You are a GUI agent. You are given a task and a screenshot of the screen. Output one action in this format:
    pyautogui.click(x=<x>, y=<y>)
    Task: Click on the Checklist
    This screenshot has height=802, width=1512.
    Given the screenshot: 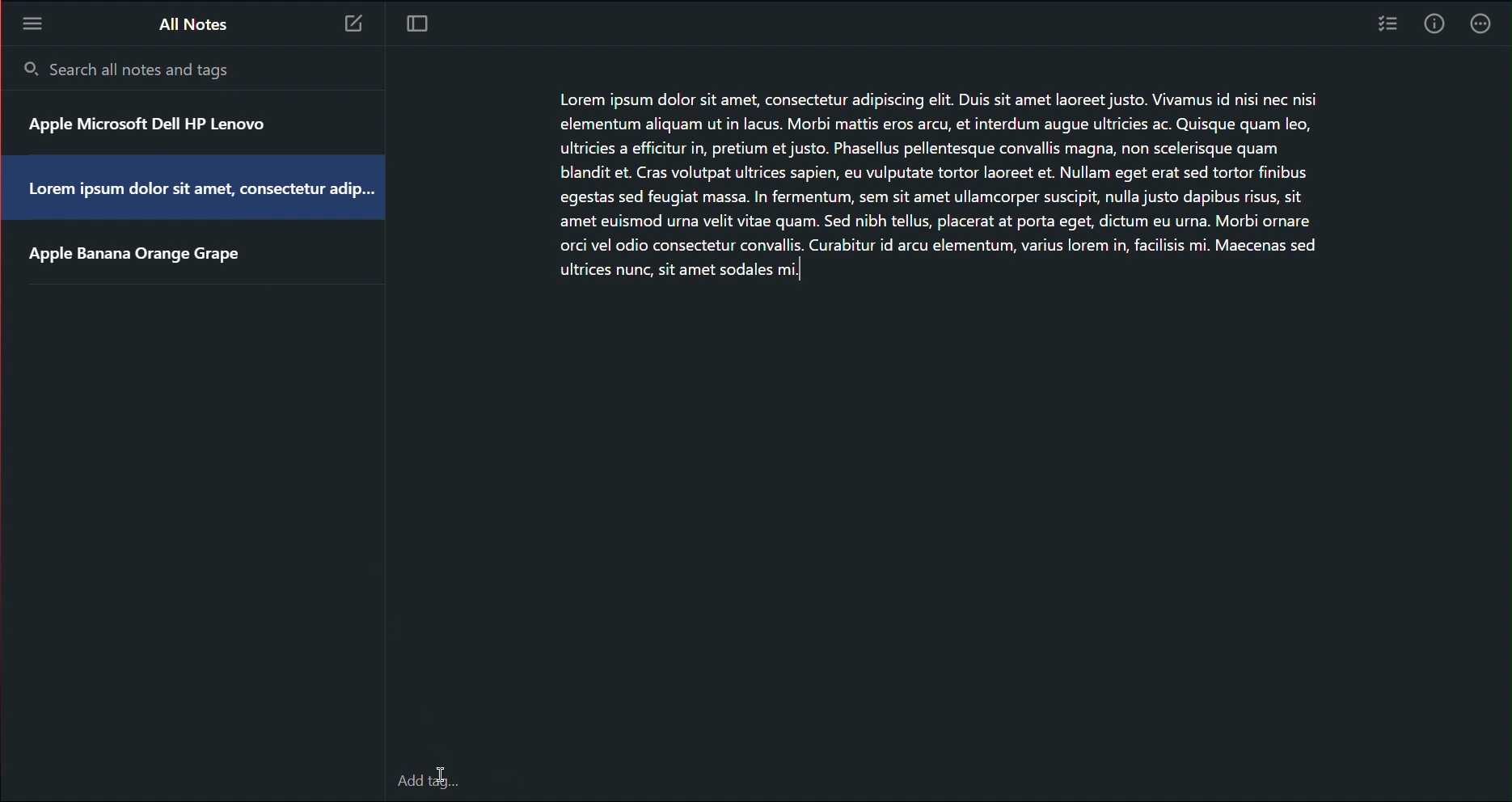 What is the action you would take?
    pyautogui.click(x=1386, y=27)
    